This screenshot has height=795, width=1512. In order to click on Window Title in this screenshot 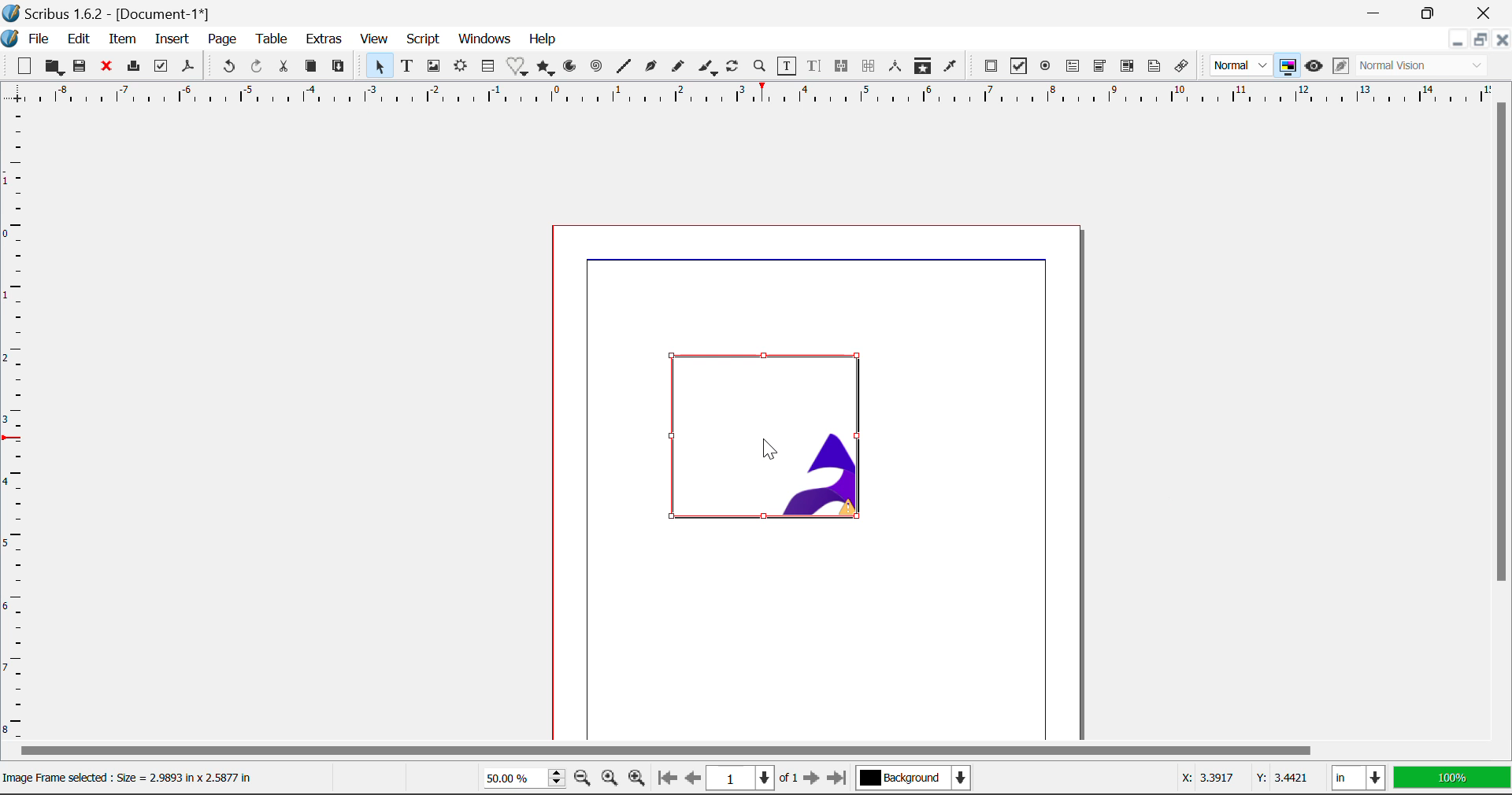, I will do `click(109, 13)`.